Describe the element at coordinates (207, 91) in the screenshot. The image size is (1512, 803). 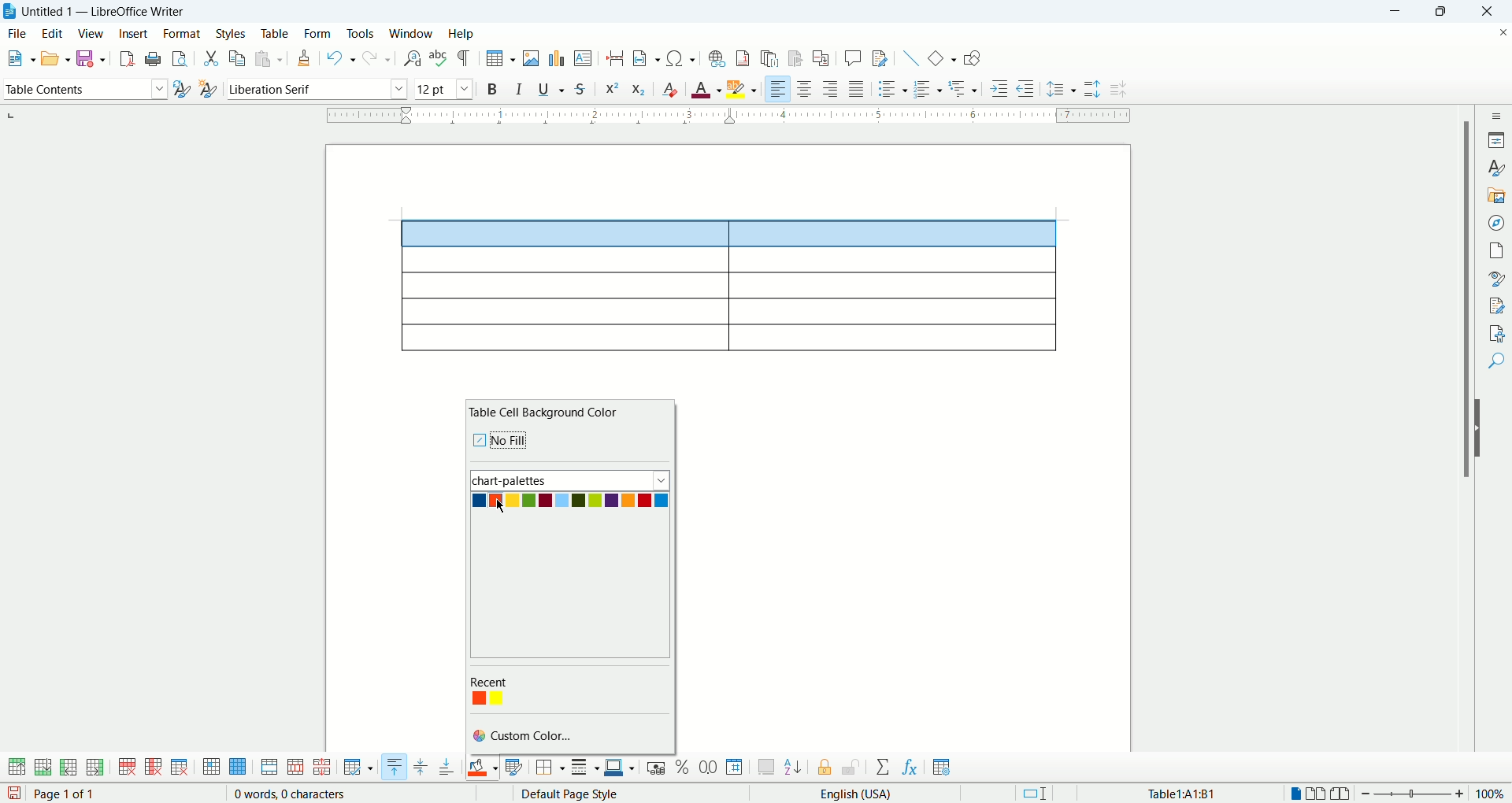
I see `new style` at that location.